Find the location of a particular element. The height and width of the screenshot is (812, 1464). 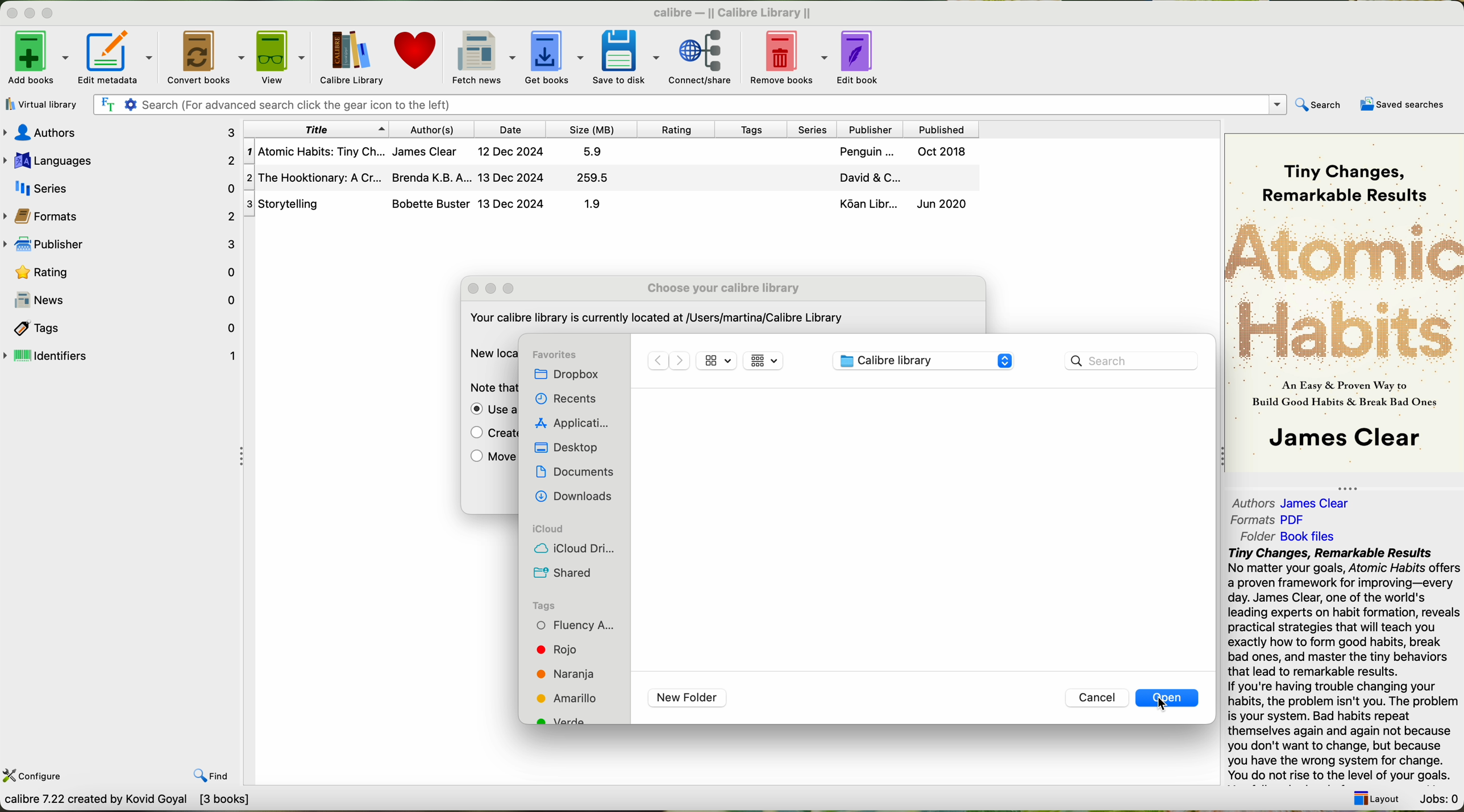

James Clear is located at coordinates (1341, 440).